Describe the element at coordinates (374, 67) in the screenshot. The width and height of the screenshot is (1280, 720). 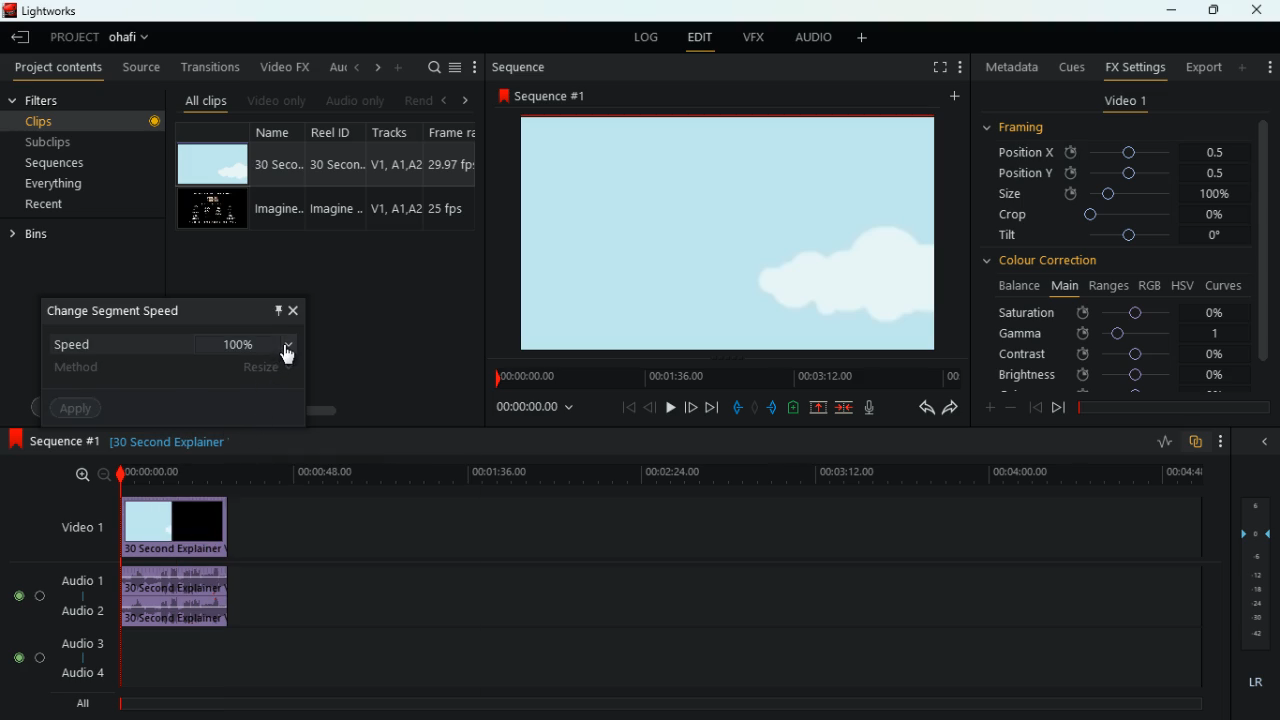
I see `right` at that location.